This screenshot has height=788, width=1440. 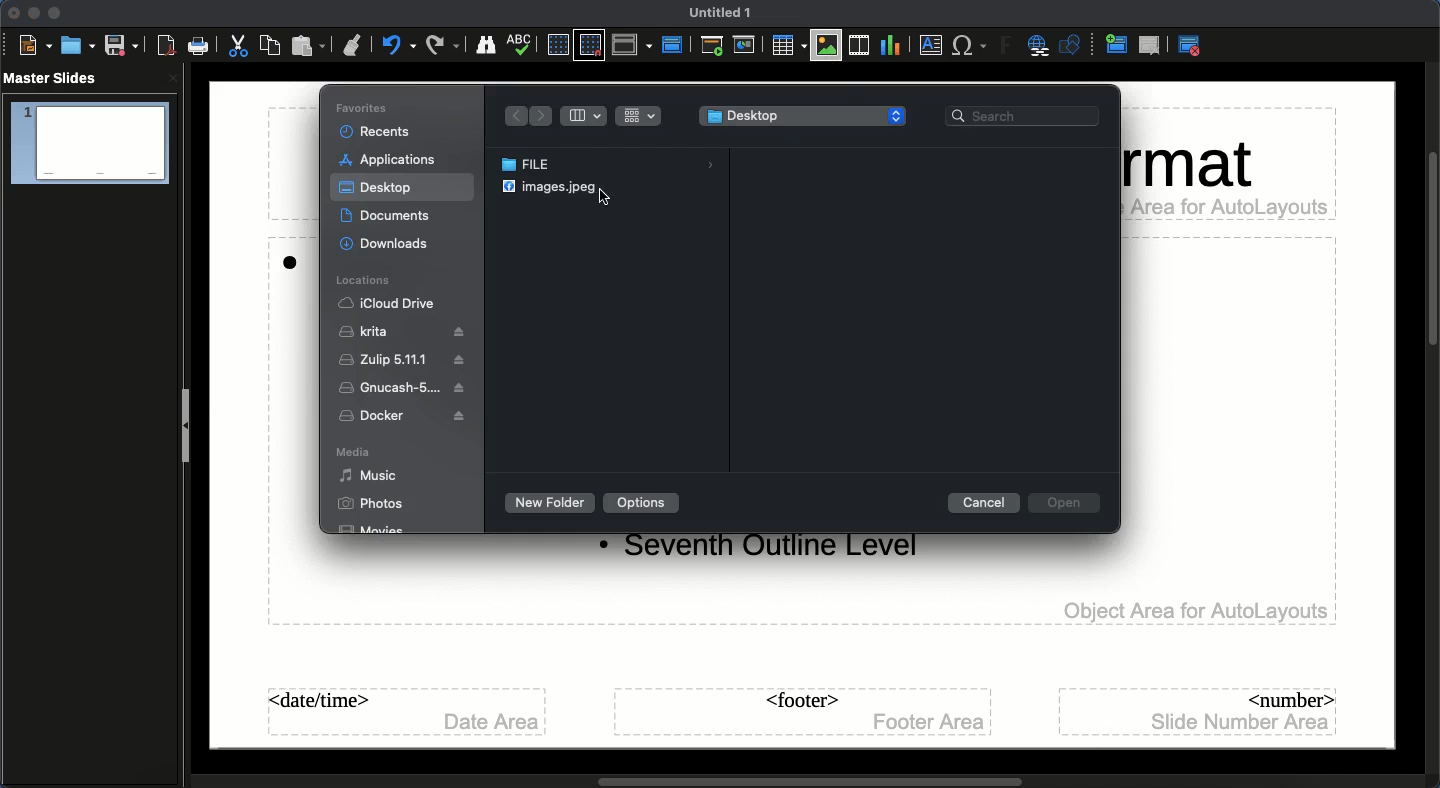 I want to click on Downloads, so click(x=392, y=244).